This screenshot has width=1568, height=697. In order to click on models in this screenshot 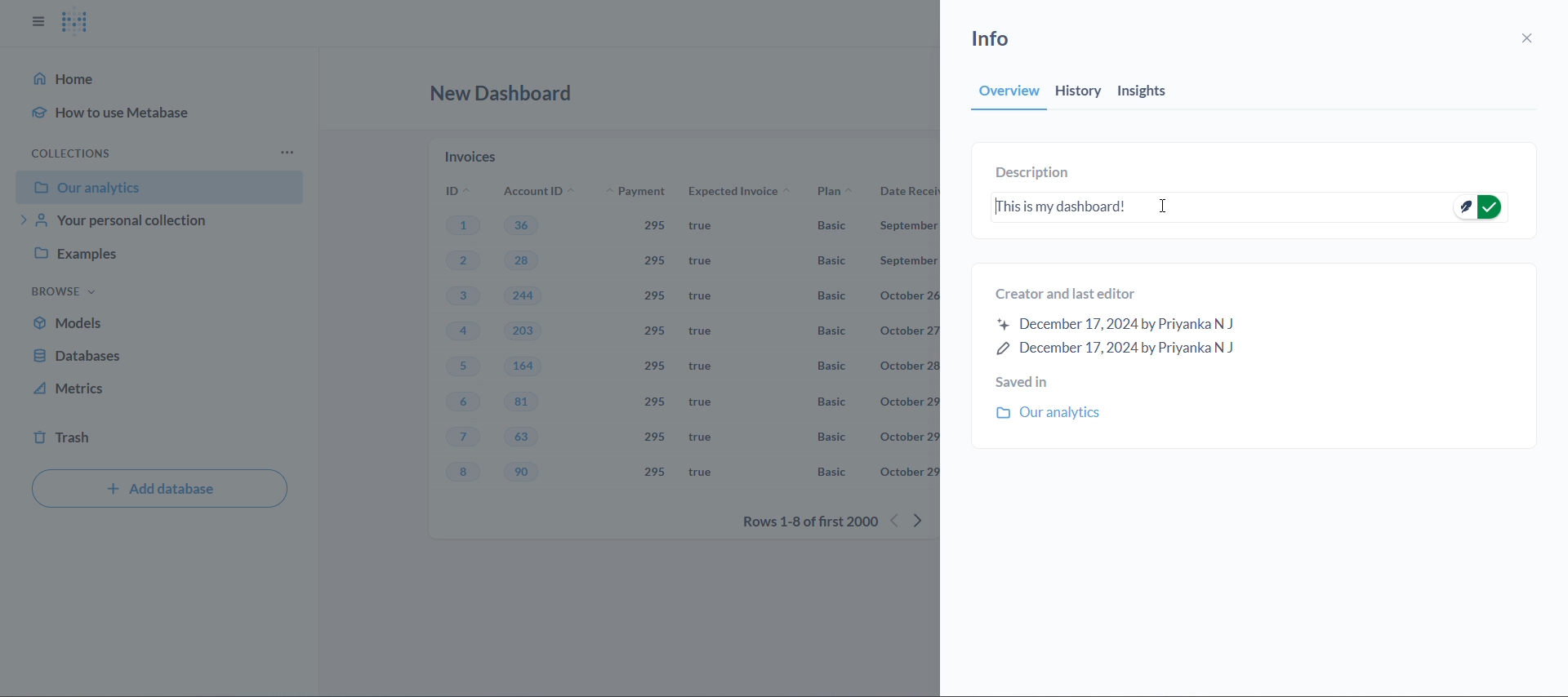, I will do `click(159, 326)`.